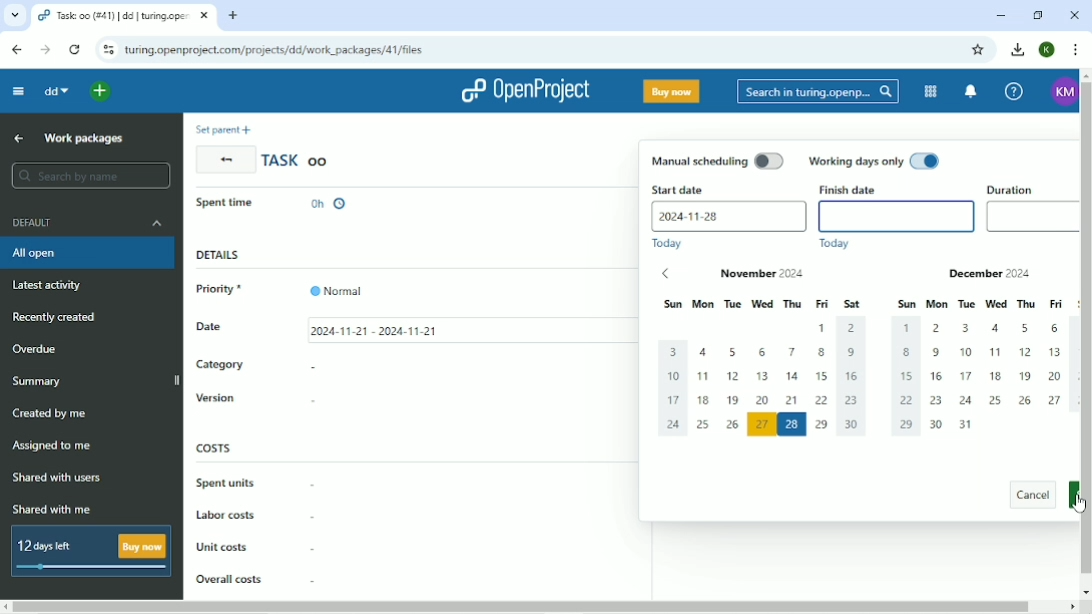 The width and height of the screenshot is (1092, 614). What do you see at coordinates (59, 318) in the screenshot?
I see `Recently created` at bounding box center [59, 318].